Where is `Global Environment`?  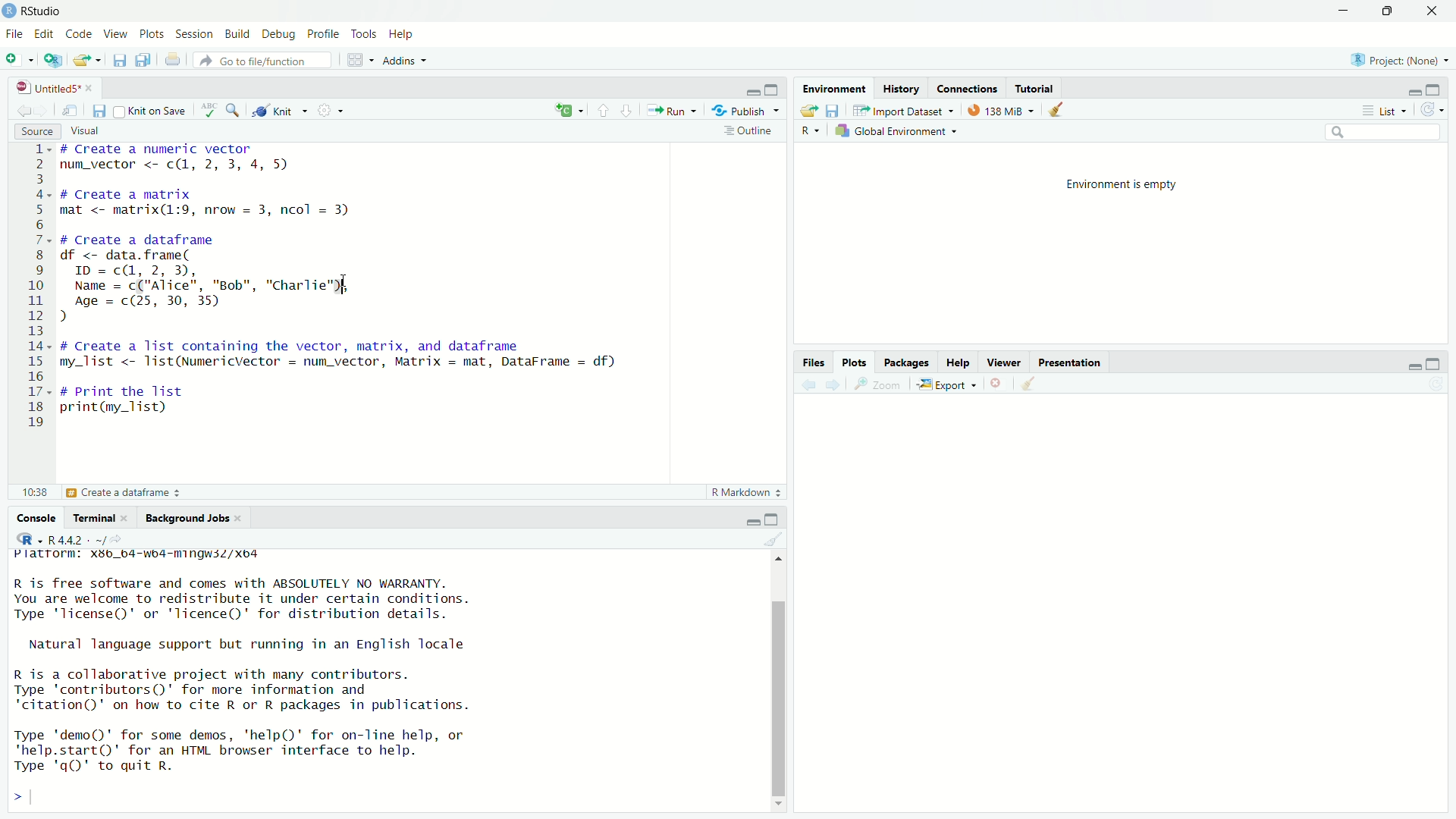
Global Environment is located at coordinates (899, 130).